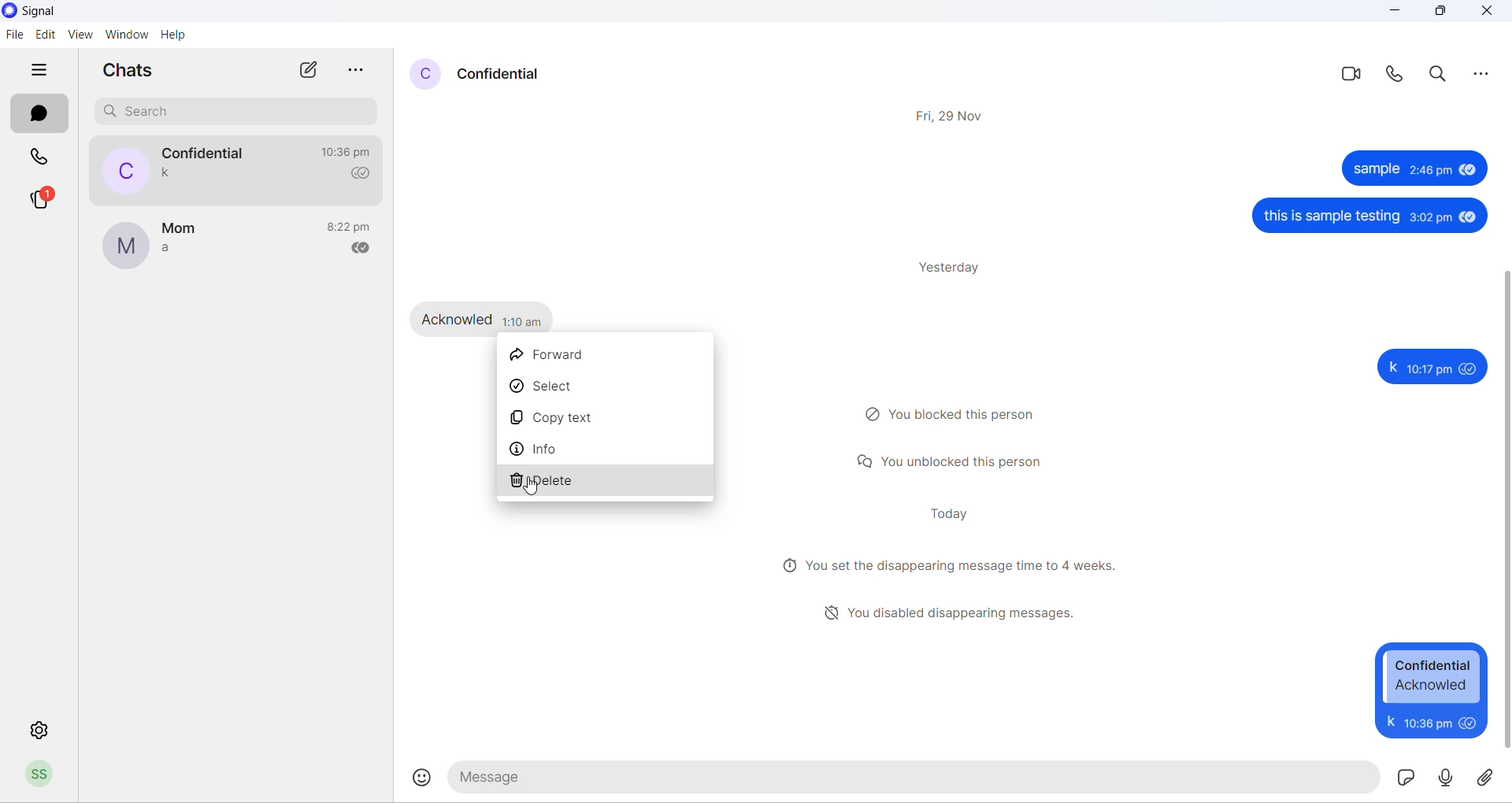 This screenshot has width=1512, height=803. What do you see at coordinates (1330, 217) in the screenshot?
I see `~ this is sample testing` at bounding box center [1330, 217].